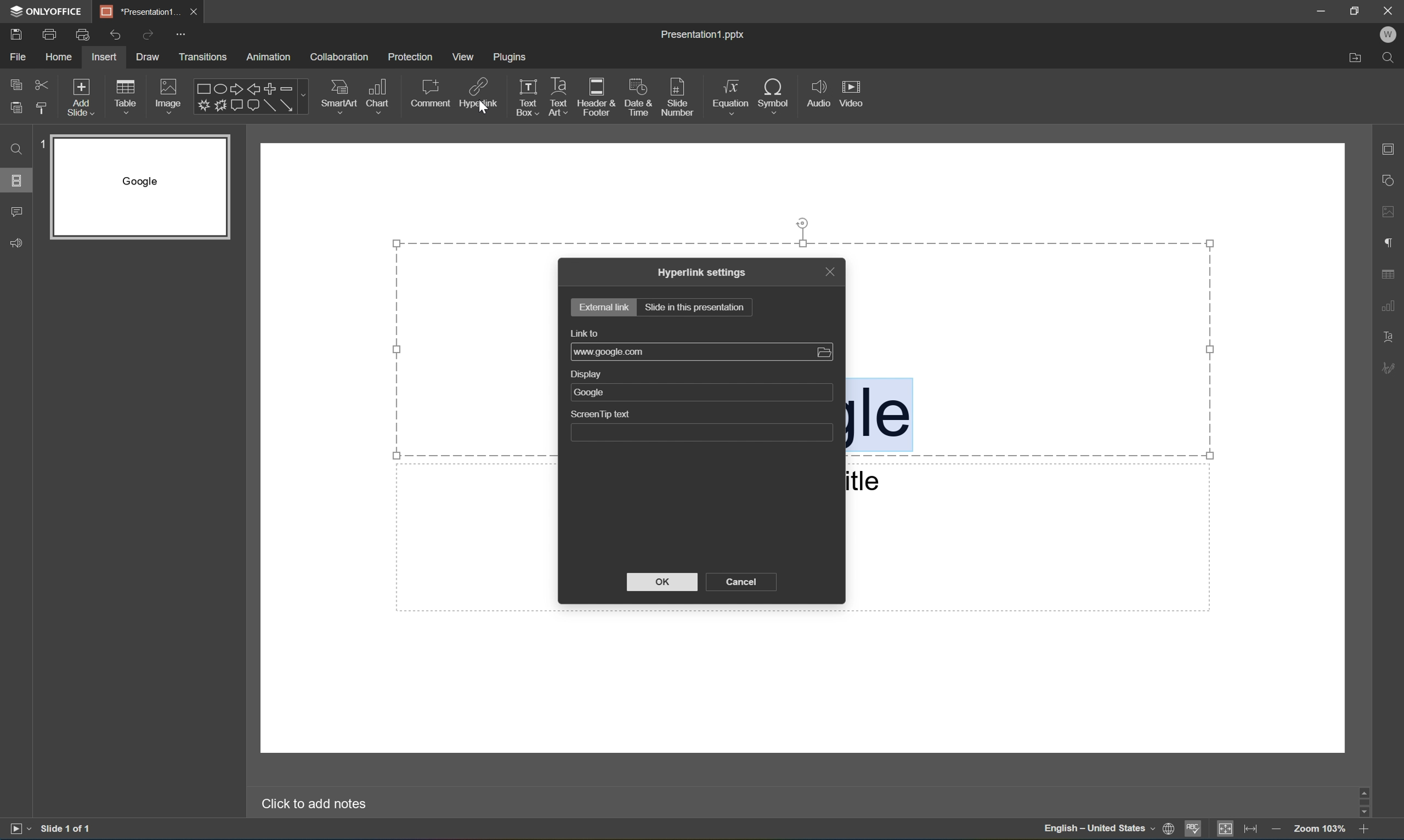 The height and width of the screenshot is (840, 1404). Describe the element at coordinates (15, 35) in the screenshot. I see `Save` at that location.